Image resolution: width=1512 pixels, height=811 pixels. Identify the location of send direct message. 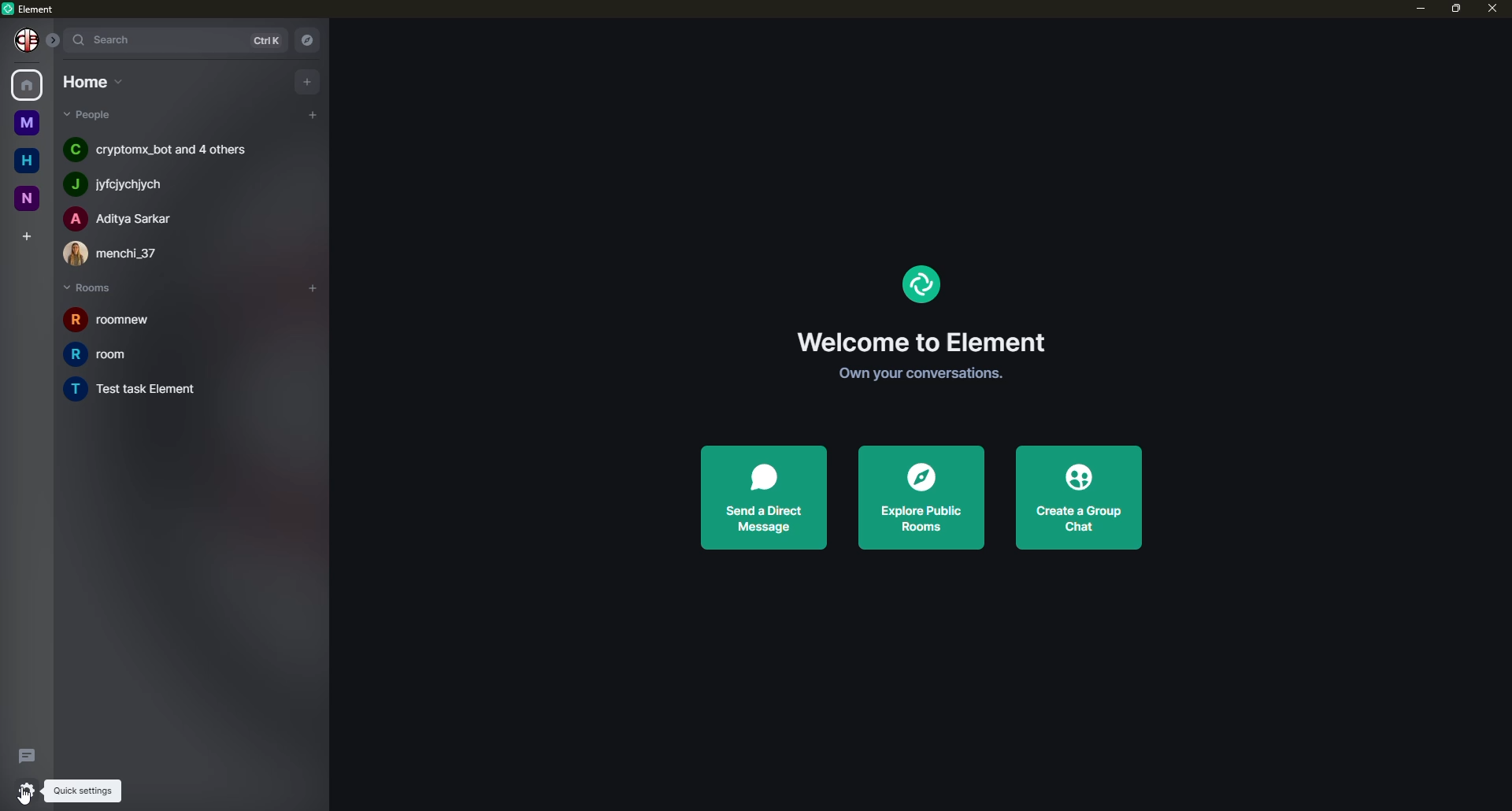
(762, 498).